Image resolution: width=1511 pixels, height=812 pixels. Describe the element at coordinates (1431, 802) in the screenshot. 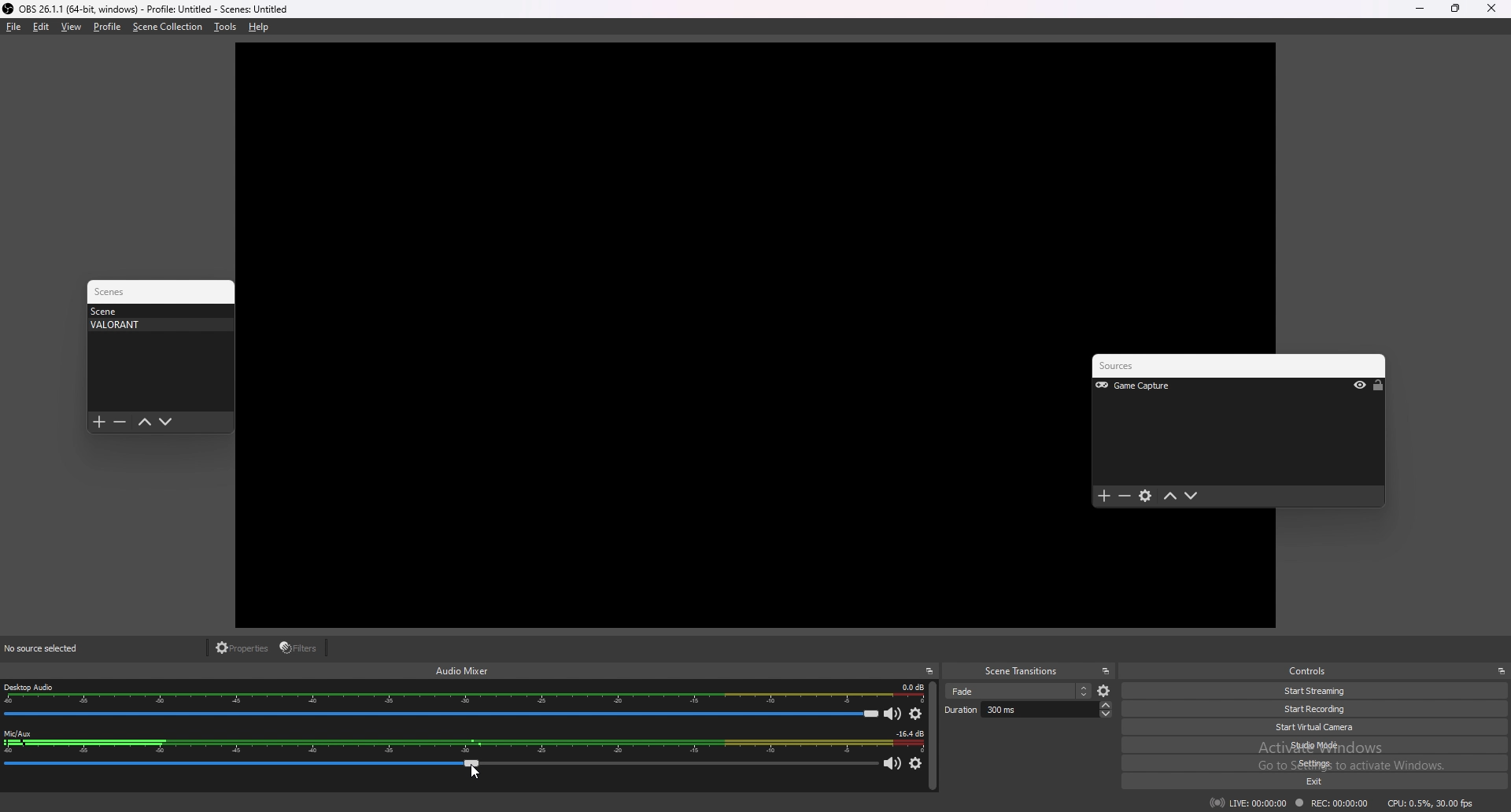

I see `cpu: 0.3% 30.00fps` at that location.